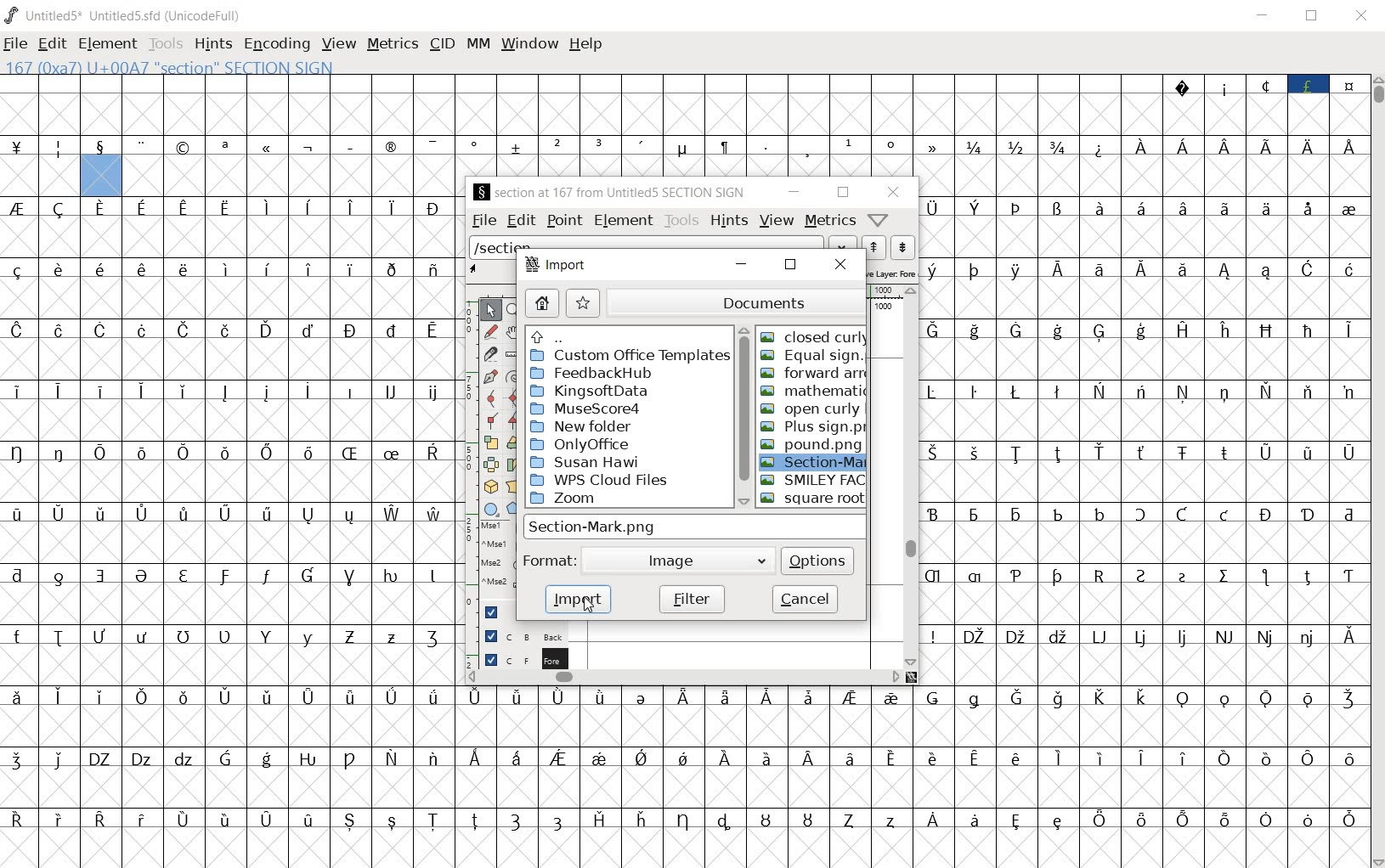 The width and height of the screenshot is (1385, 868). What do you see at coordinates (1144, 603) in the screenshot?
I see `empty cells` at bounding box center [1144, 603].